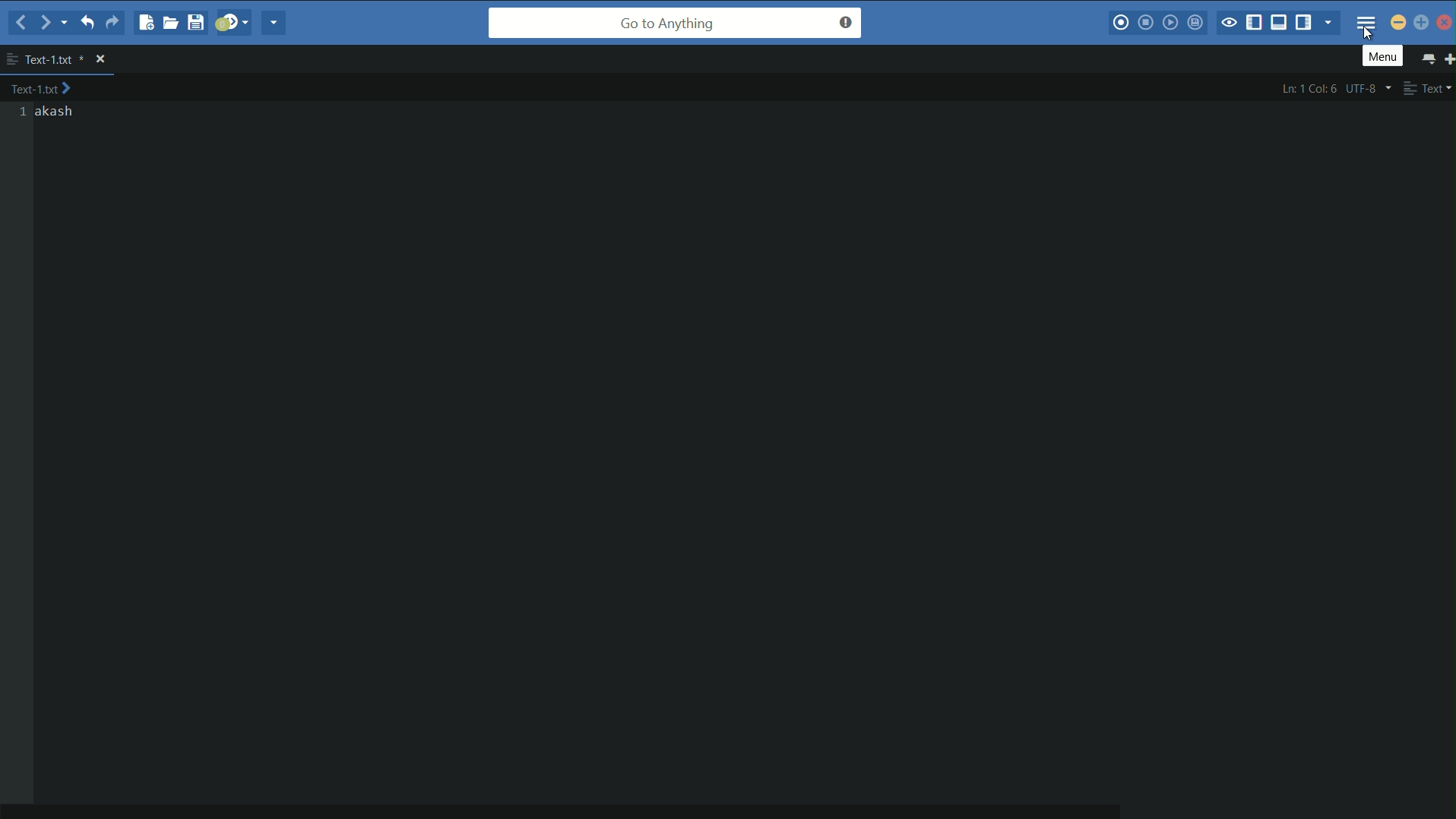 The image size is (1456, 819). What do you see at coordinates (55, 60) in the screenshot?
I see `text-1 file` at bounding box center [55, 60].